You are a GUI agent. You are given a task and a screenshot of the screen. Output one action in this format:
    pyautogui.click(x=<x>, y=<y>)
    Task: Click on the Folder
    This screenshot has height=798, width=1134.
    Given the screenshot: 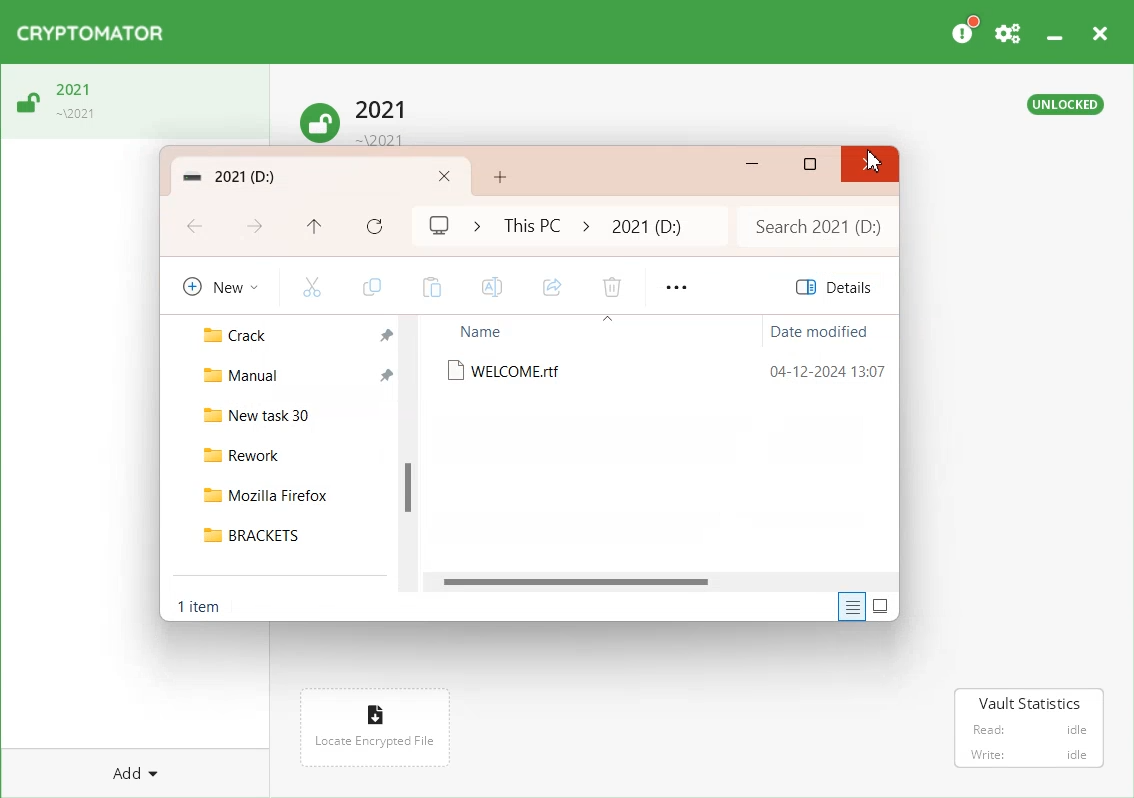 What is the action you would take?
    pyautogui.click(x=287, y=180)
    